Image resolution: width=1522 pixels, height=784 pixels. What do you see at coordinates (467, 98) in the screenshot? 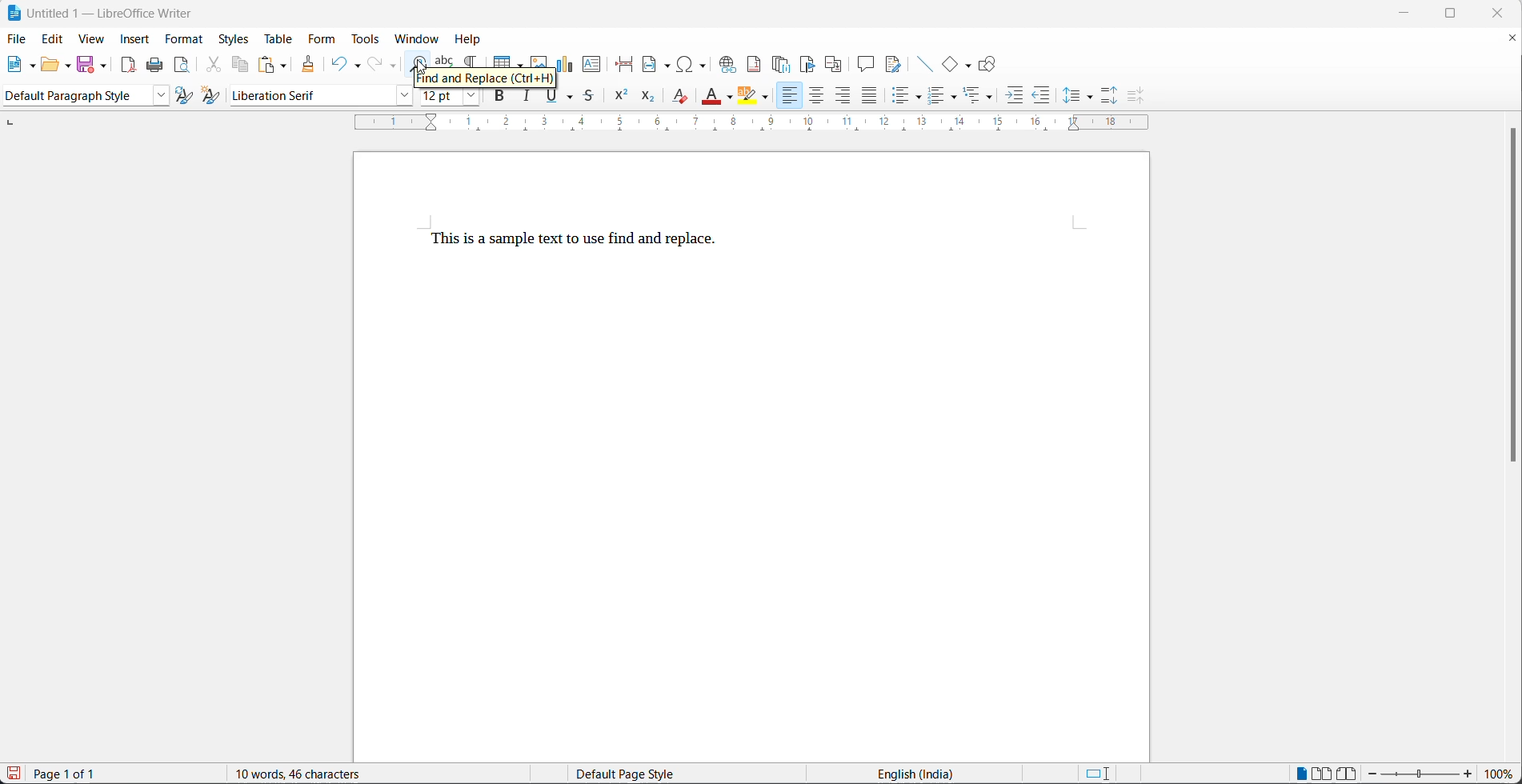
I see `font size options` at bounding box center [467, 98].